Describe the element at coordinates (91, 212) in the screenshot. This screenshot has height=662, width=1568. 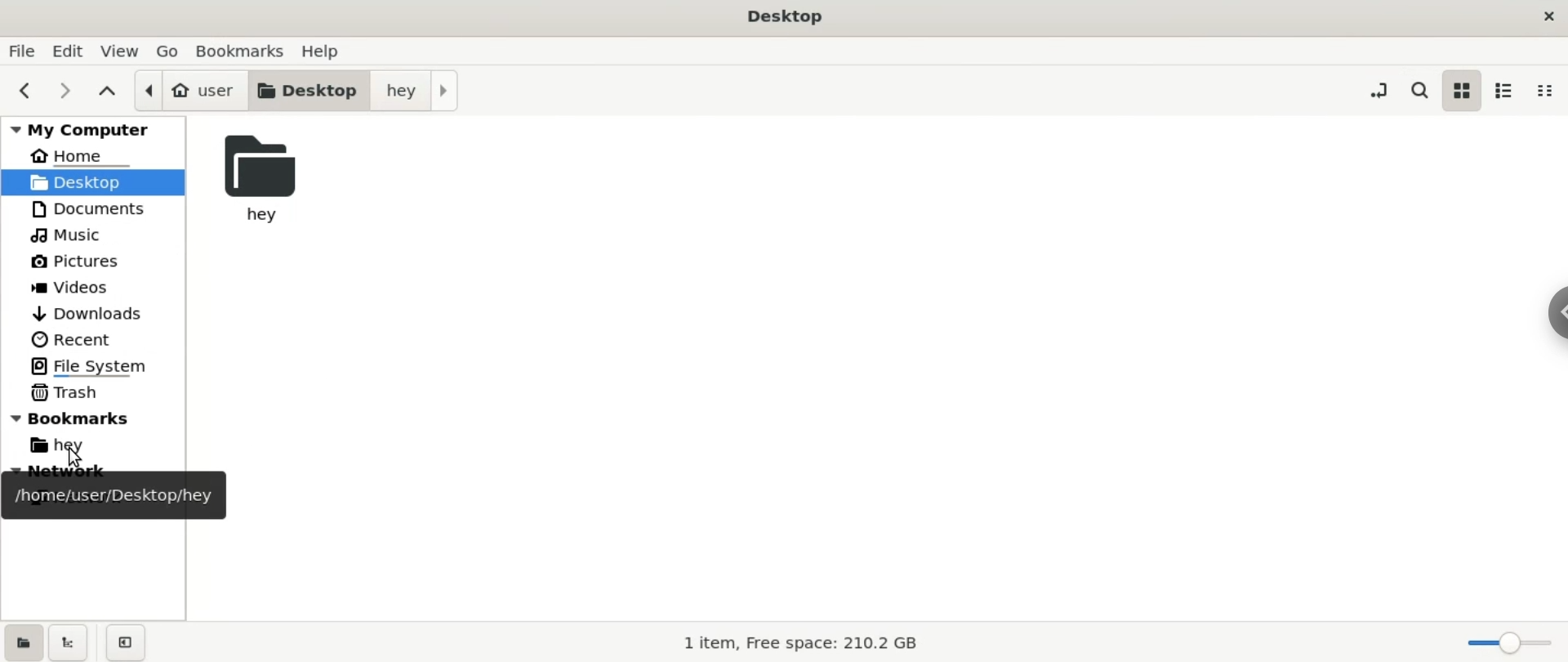
I see `documents` at that location.